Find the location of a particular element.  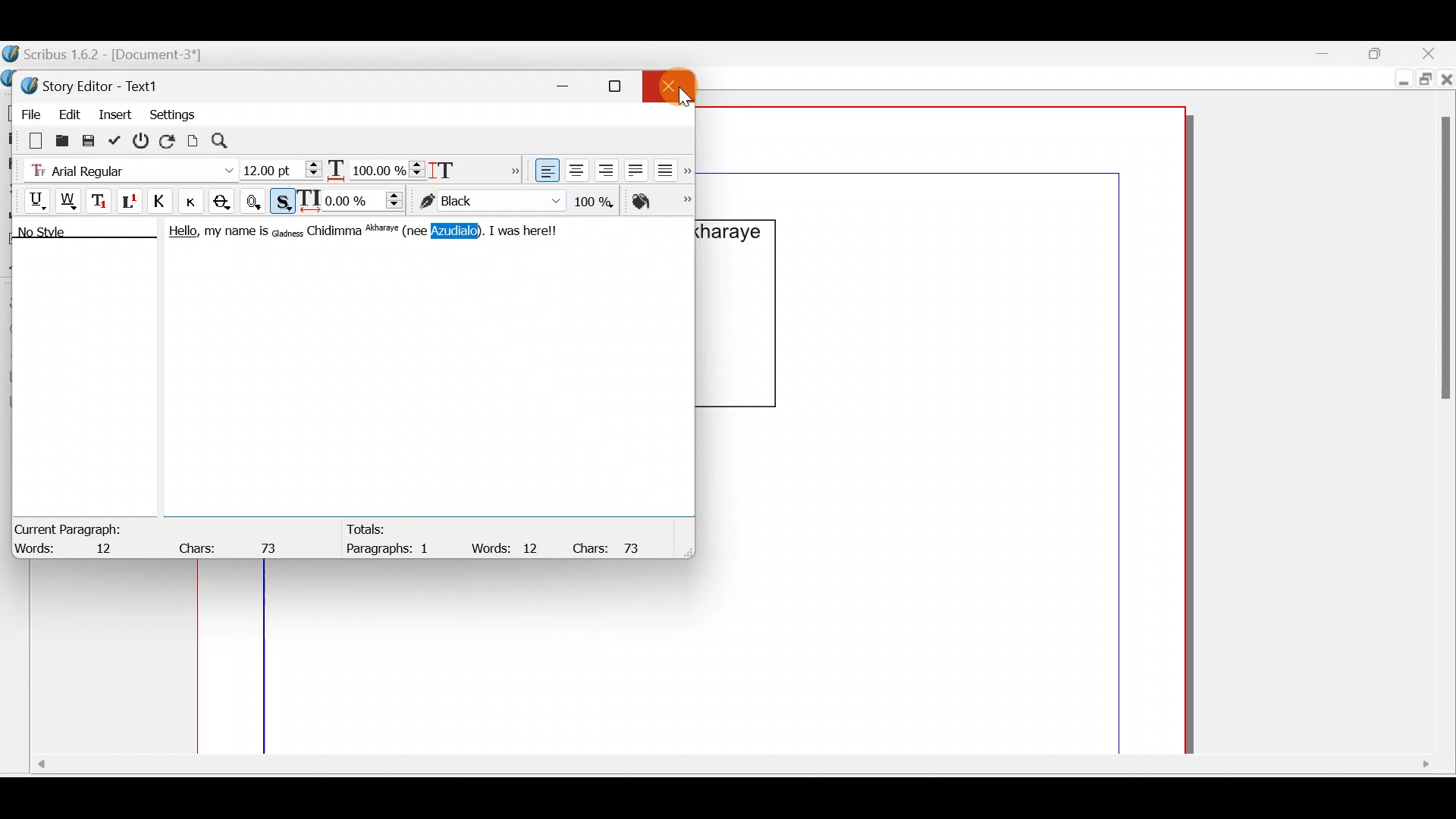

Align text justified is located at coordinates (634, 168).